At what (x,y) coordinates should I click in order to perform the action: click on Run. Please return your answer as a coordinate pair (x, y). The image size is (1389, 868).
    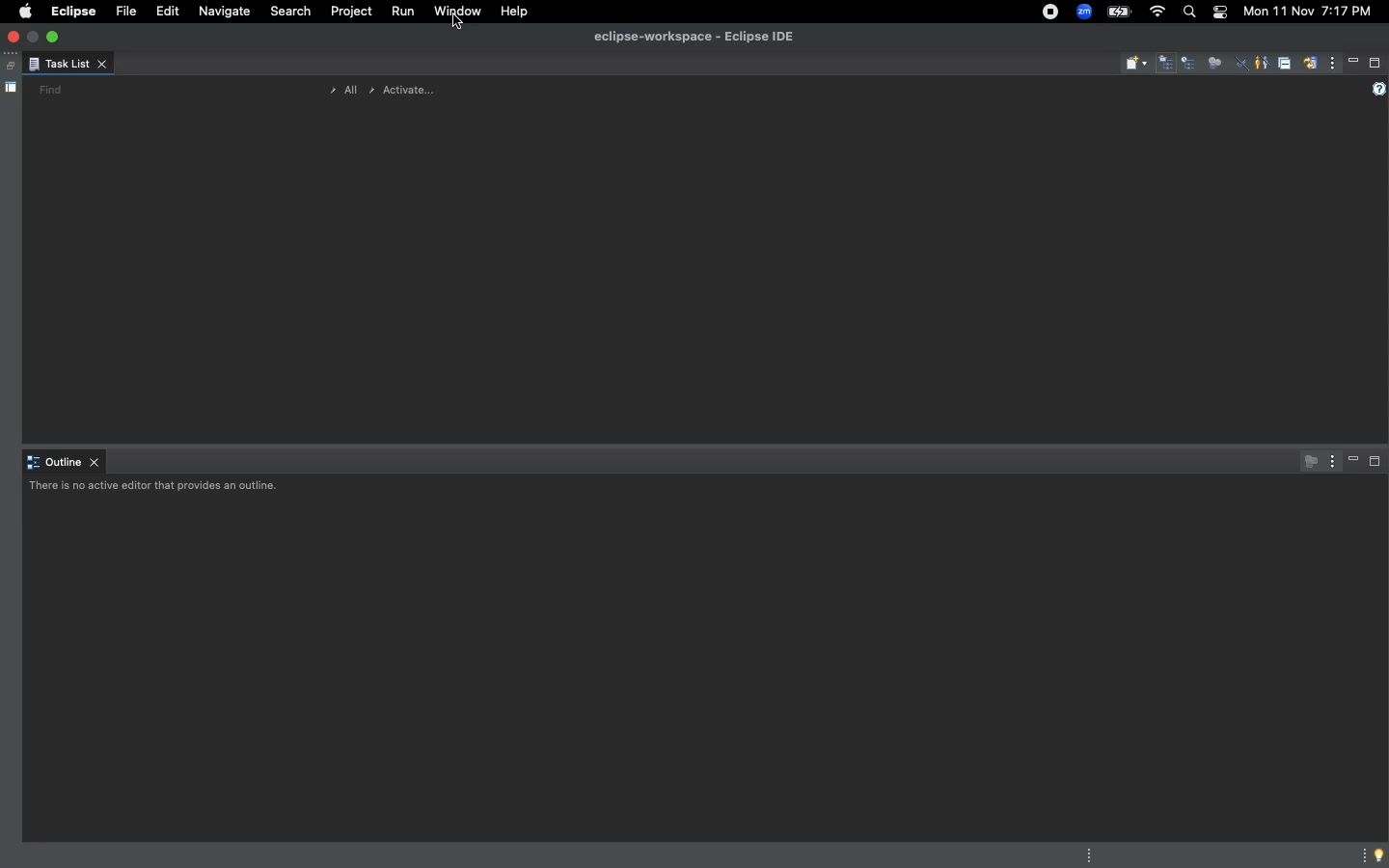
    Looking at the image, I should click on (400, 13).